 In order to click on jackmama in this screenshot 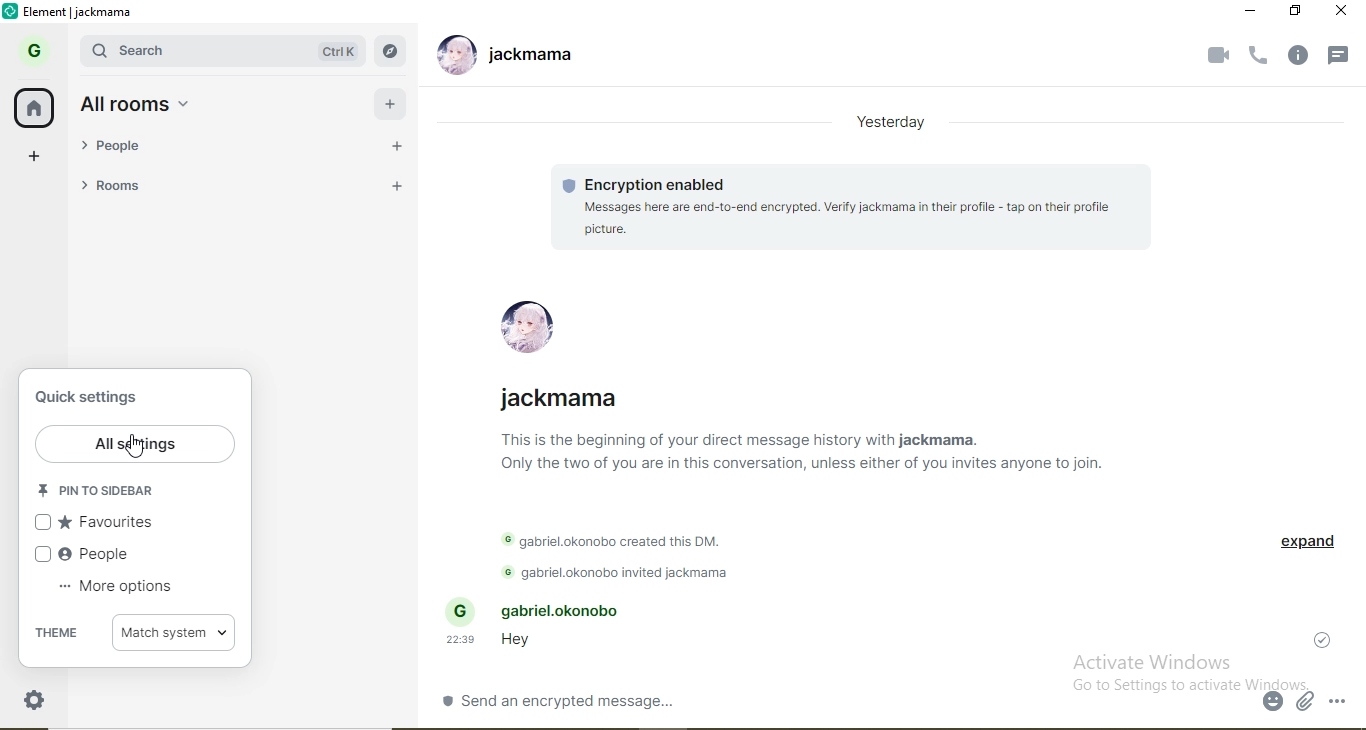, I will do `click(565, 393)`.